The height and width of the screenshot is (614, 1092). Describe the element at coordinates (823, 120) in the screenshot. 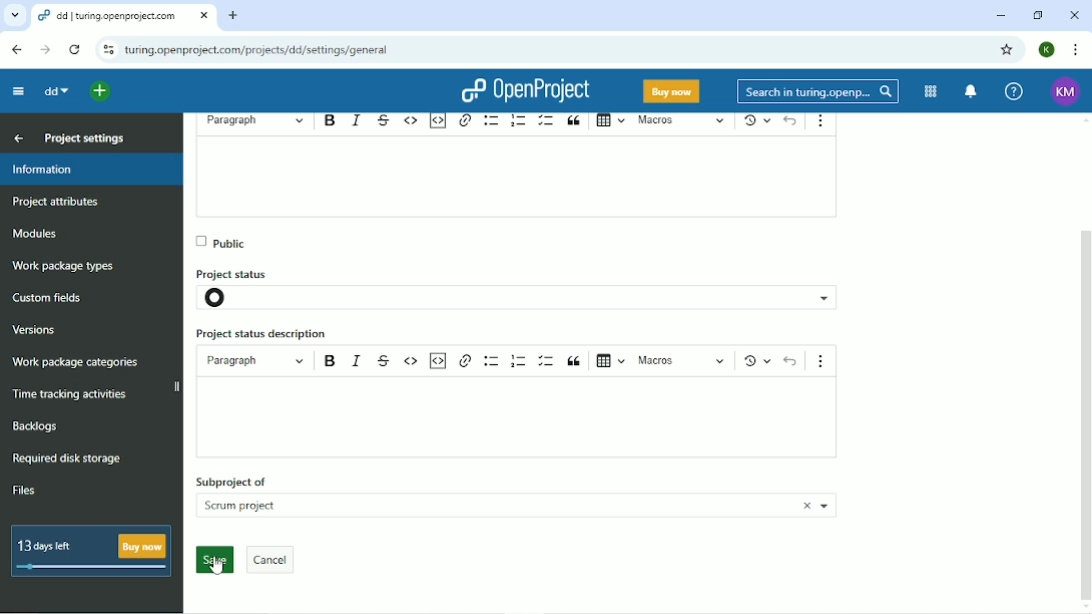

I see `Show more items` at that location.